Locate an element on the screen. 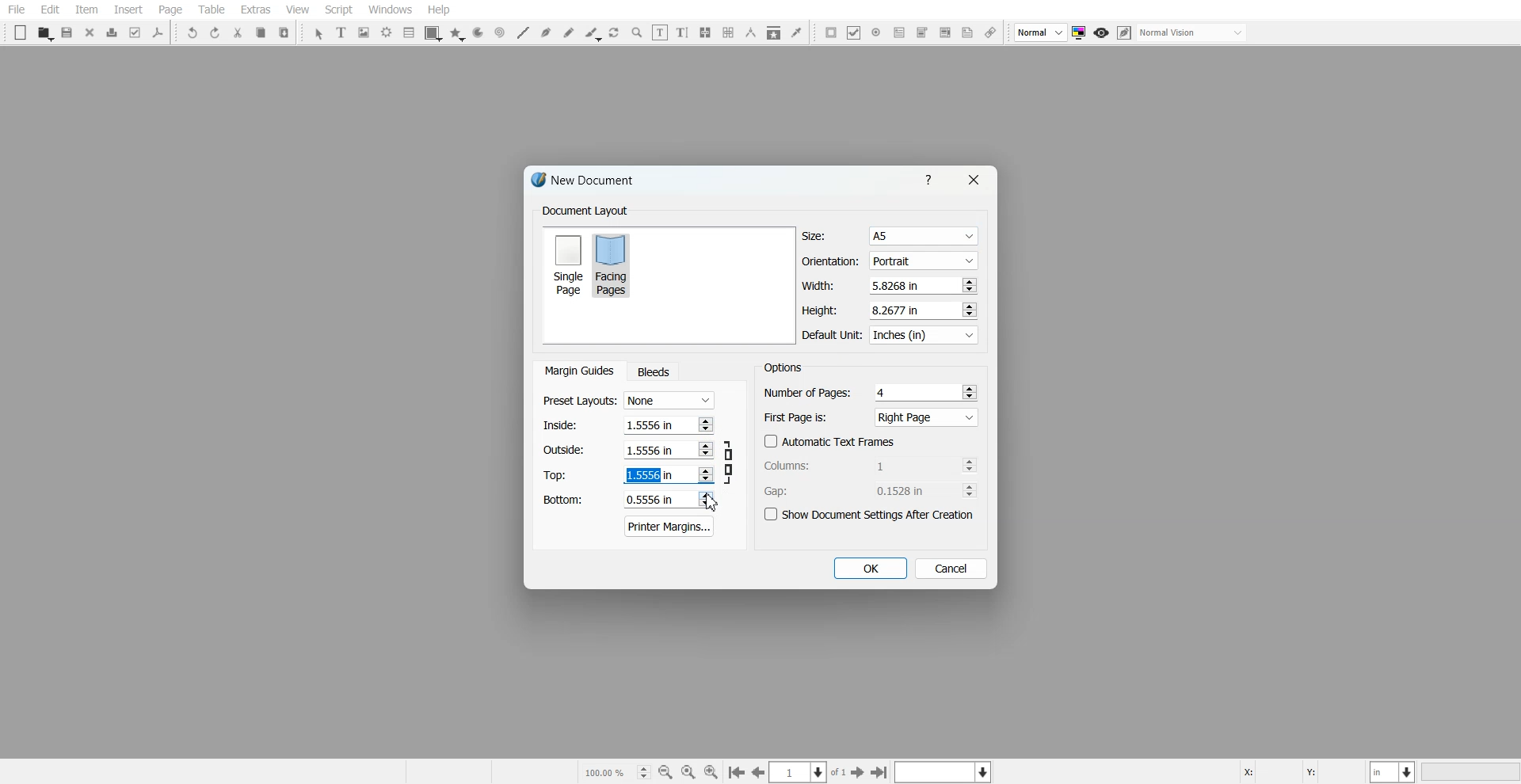  Right margin adjuster is located at coordinates (629, 450).